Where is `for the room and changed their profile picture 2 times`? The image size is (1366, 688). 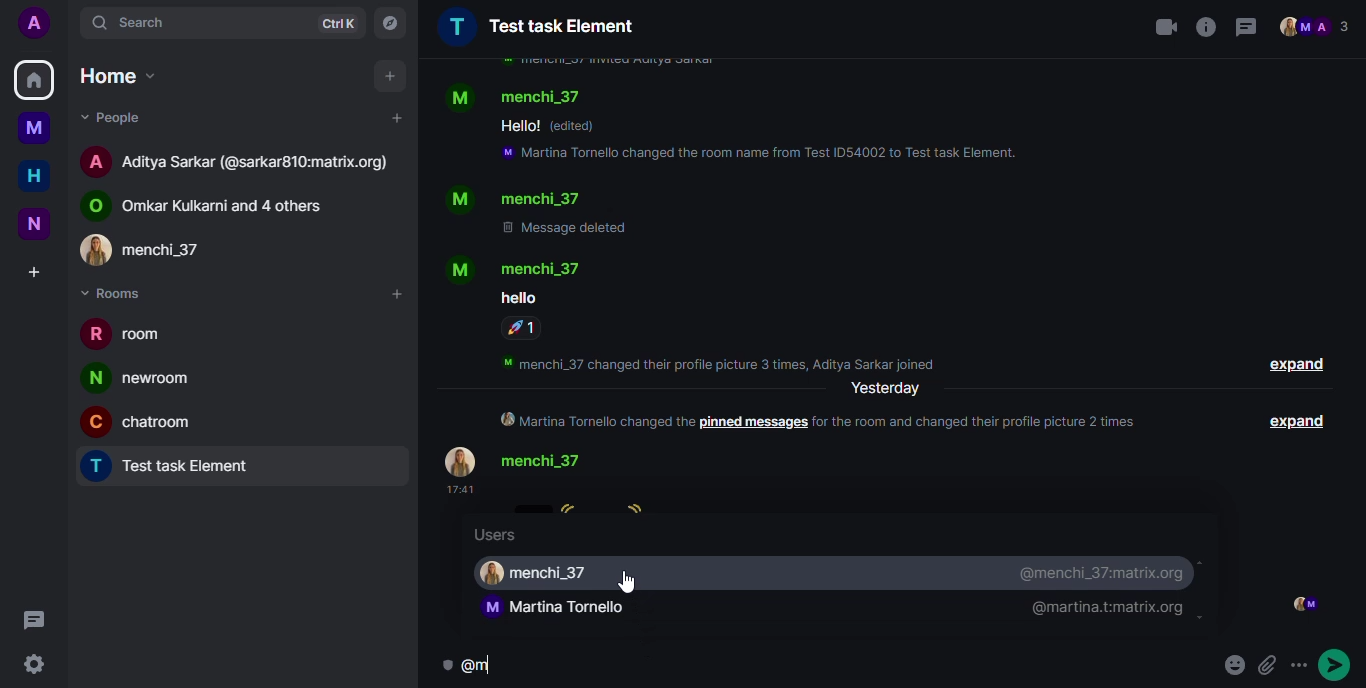
for the room and changed their profile picture 2 times is located at coordinates (984, 421).